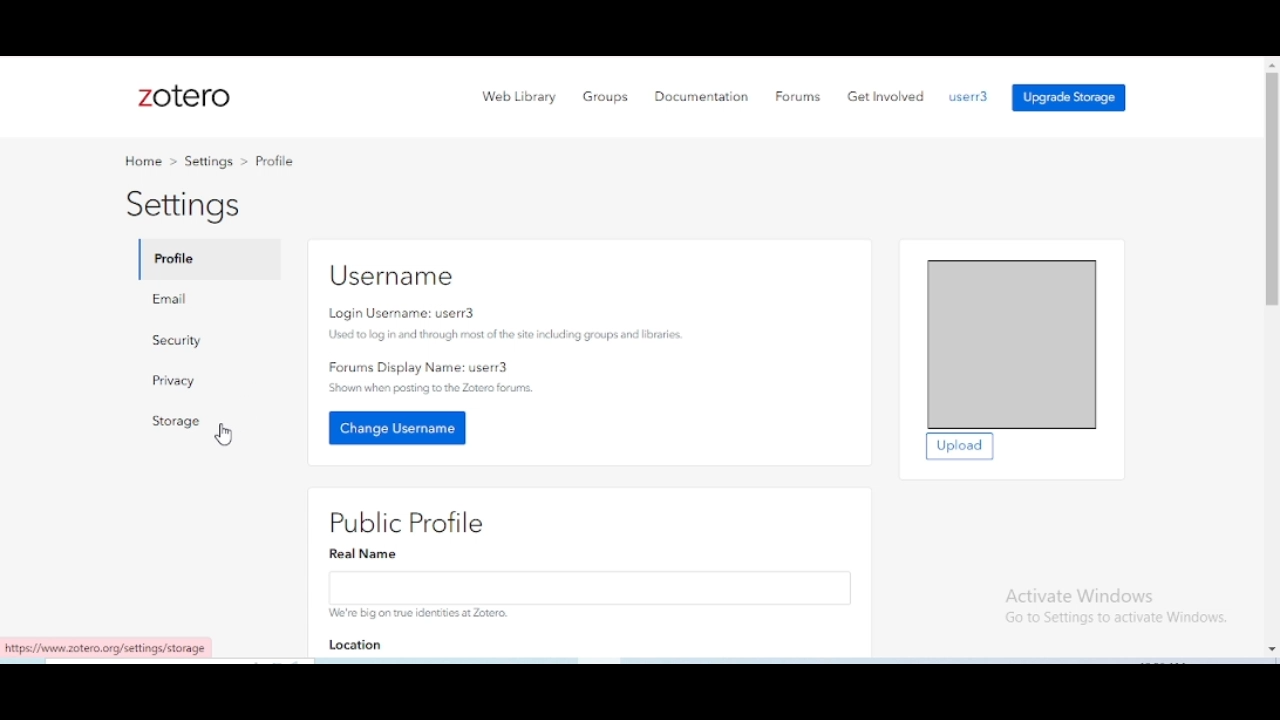 The image size is (1280, 720). Describe the element at coordinates (434, 388) in the screenshot. I see `‘Shown when posting to the Zotero forums.` at that location.